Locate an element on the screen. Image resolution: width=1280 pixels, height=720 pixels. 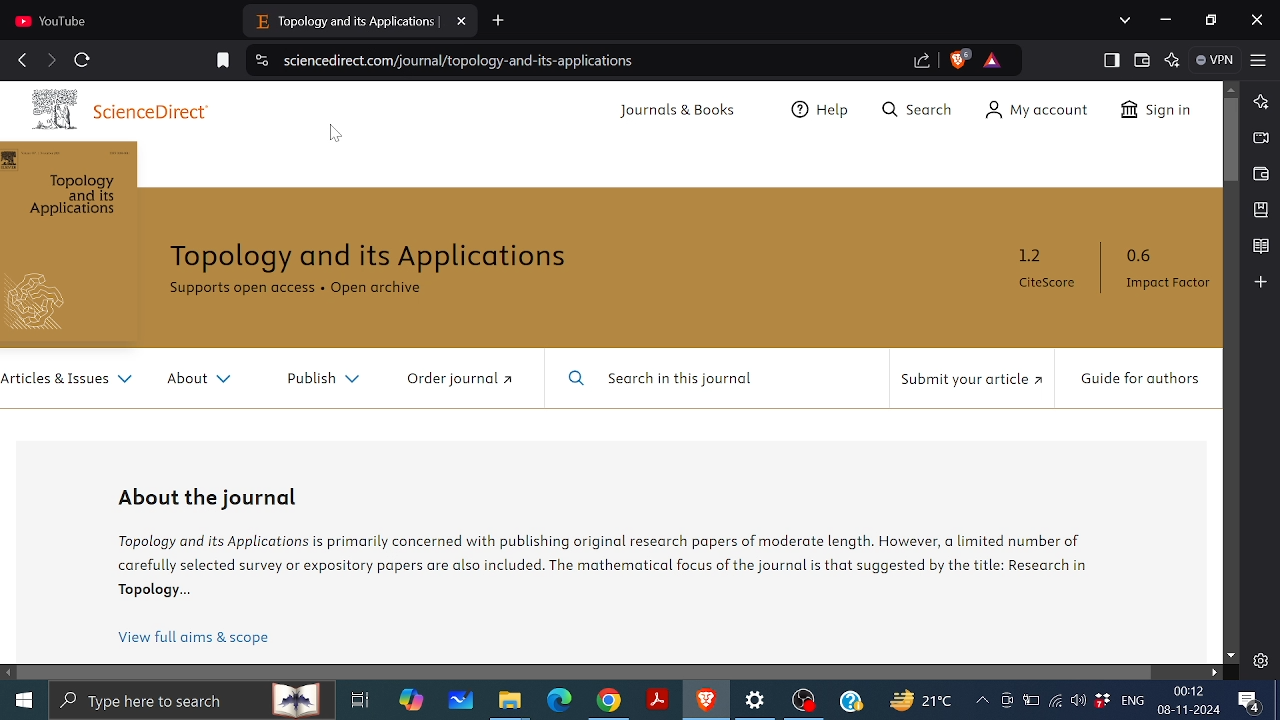
Speaker/headphones is located at coordinates (1078, 699).